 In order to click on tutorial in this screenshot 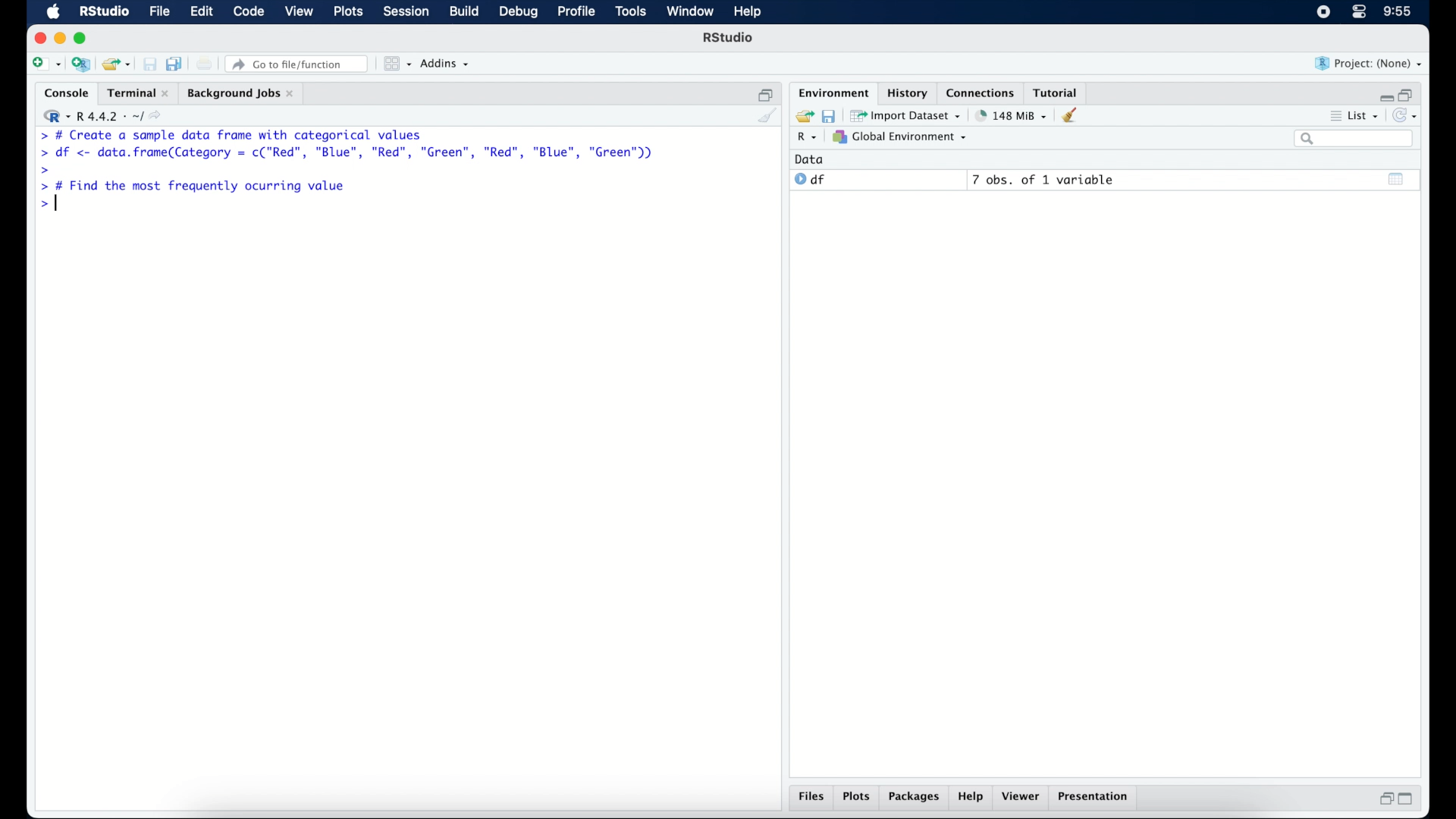, I will do `click(1059, 92)`.